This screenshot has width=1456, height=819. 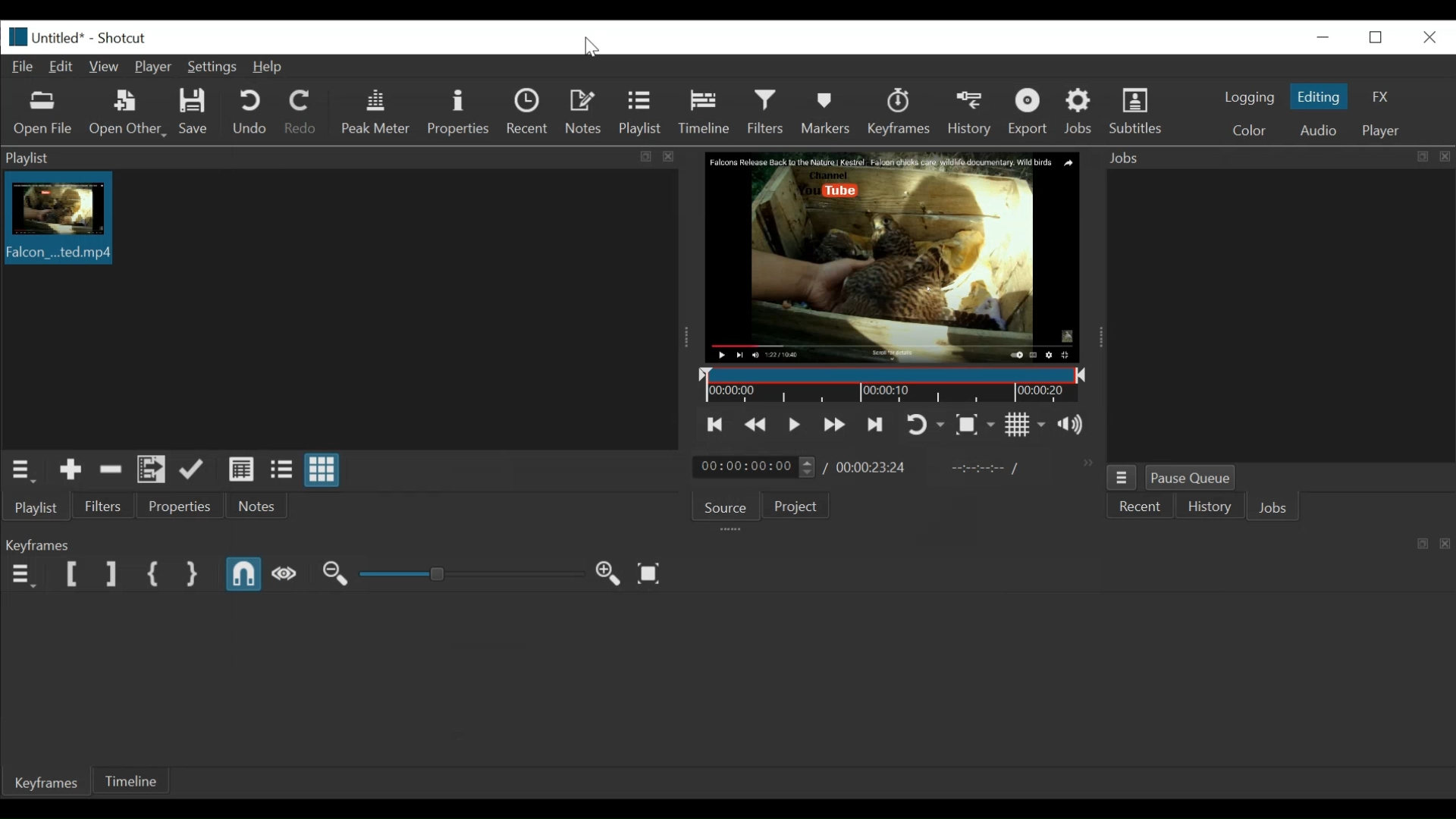 I want to click on Player, so click(x=152, y=67).